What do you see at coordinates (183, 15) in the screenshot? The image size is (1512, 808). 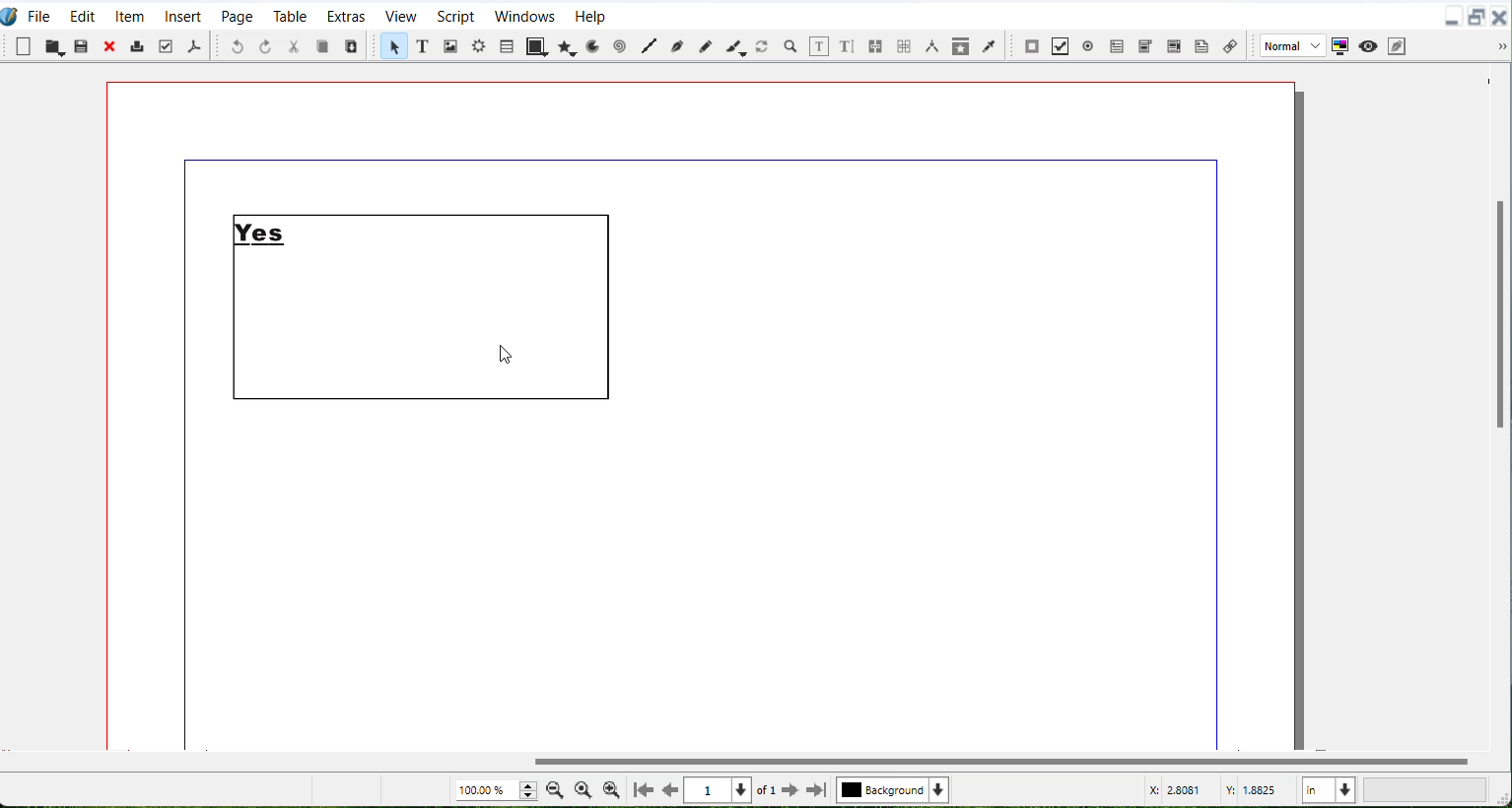 I see `Insert` at bounding box center [183, 15].